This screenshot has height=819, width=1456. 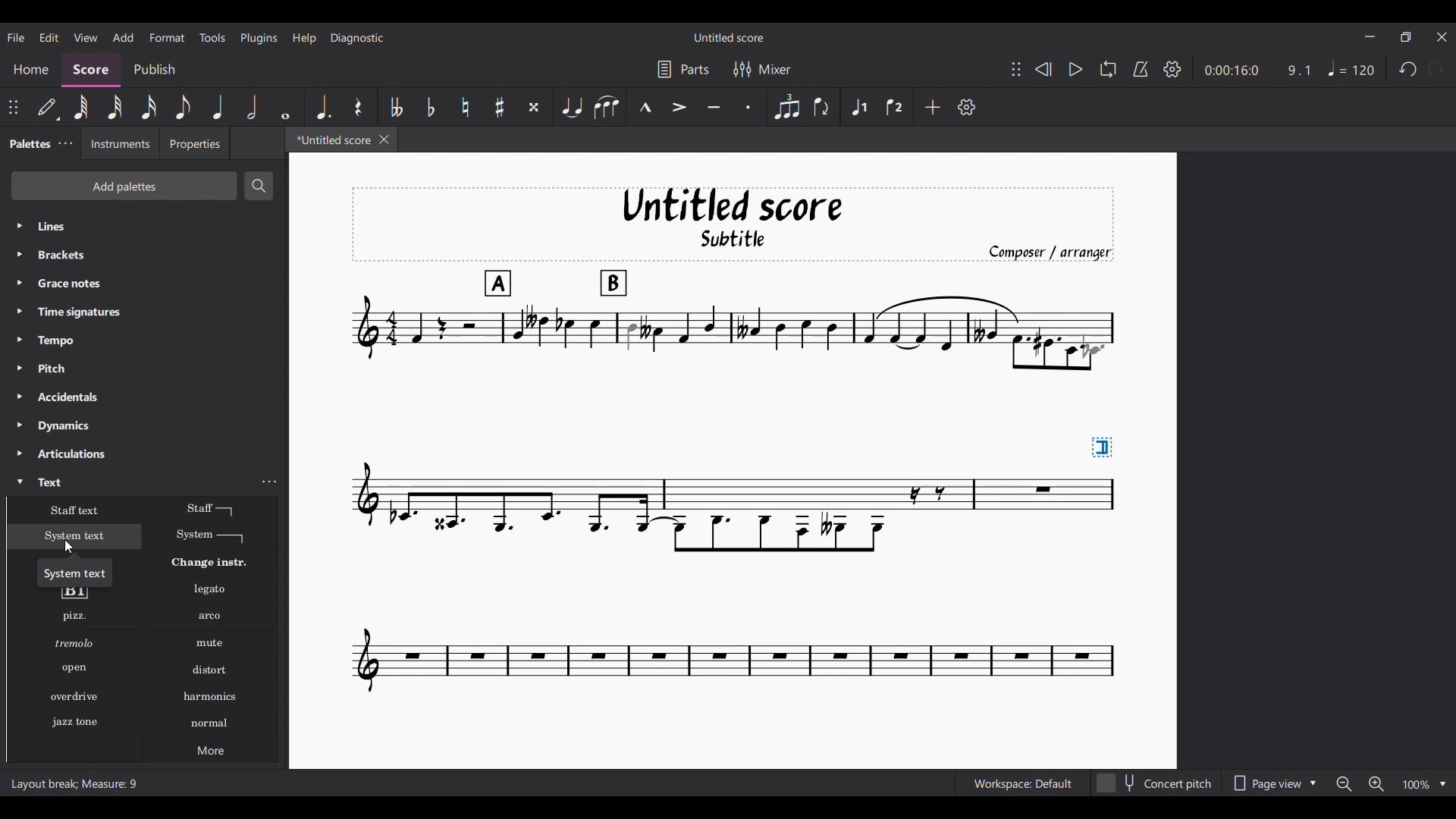 What do you see at coordinates (967, 107) in the screenshot?
I see `Customize settings` at bounding box center [967, 107].